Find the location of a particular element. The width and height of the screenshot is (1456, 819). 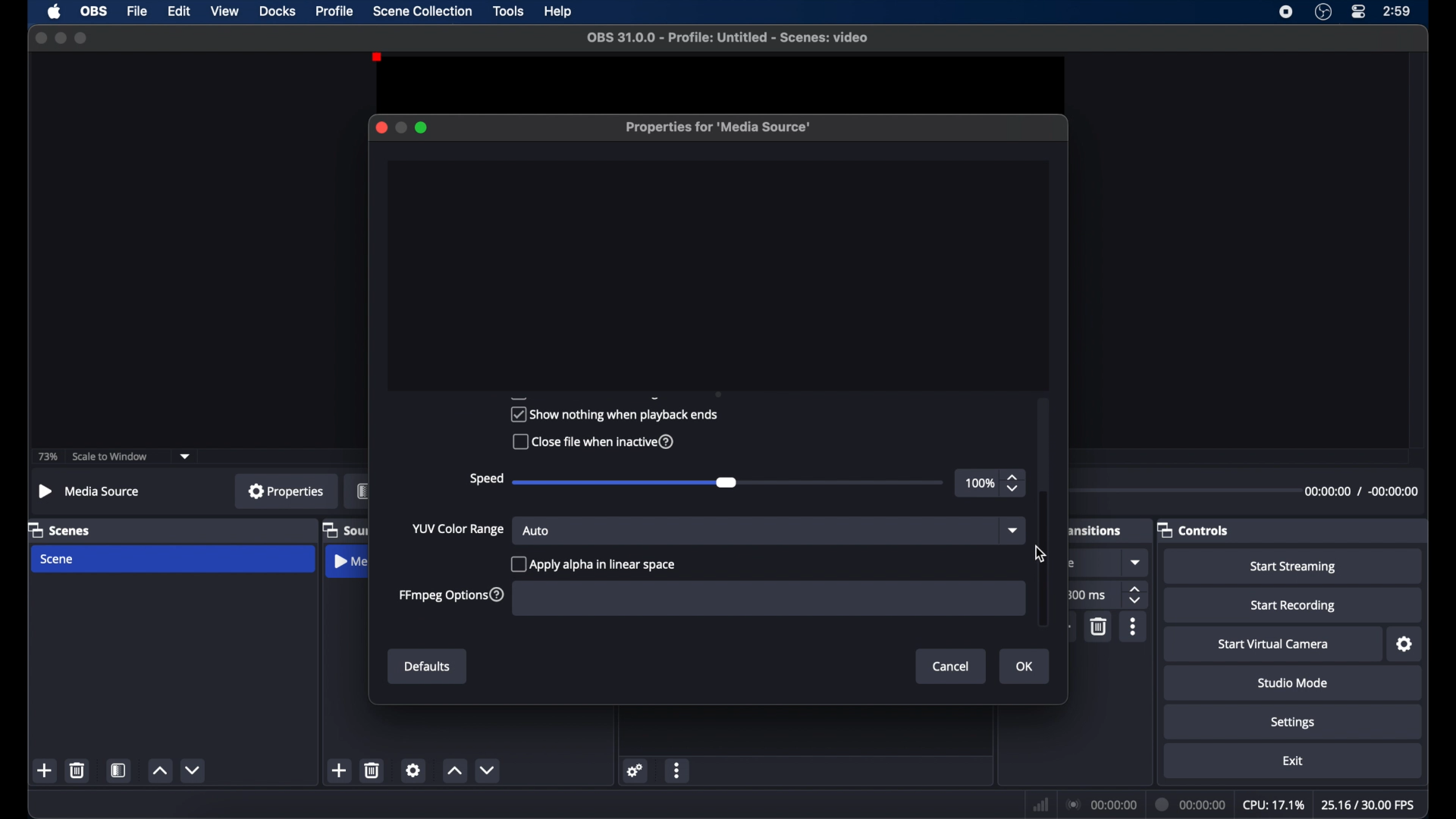

scale to window is located at coordinates (112, 456).